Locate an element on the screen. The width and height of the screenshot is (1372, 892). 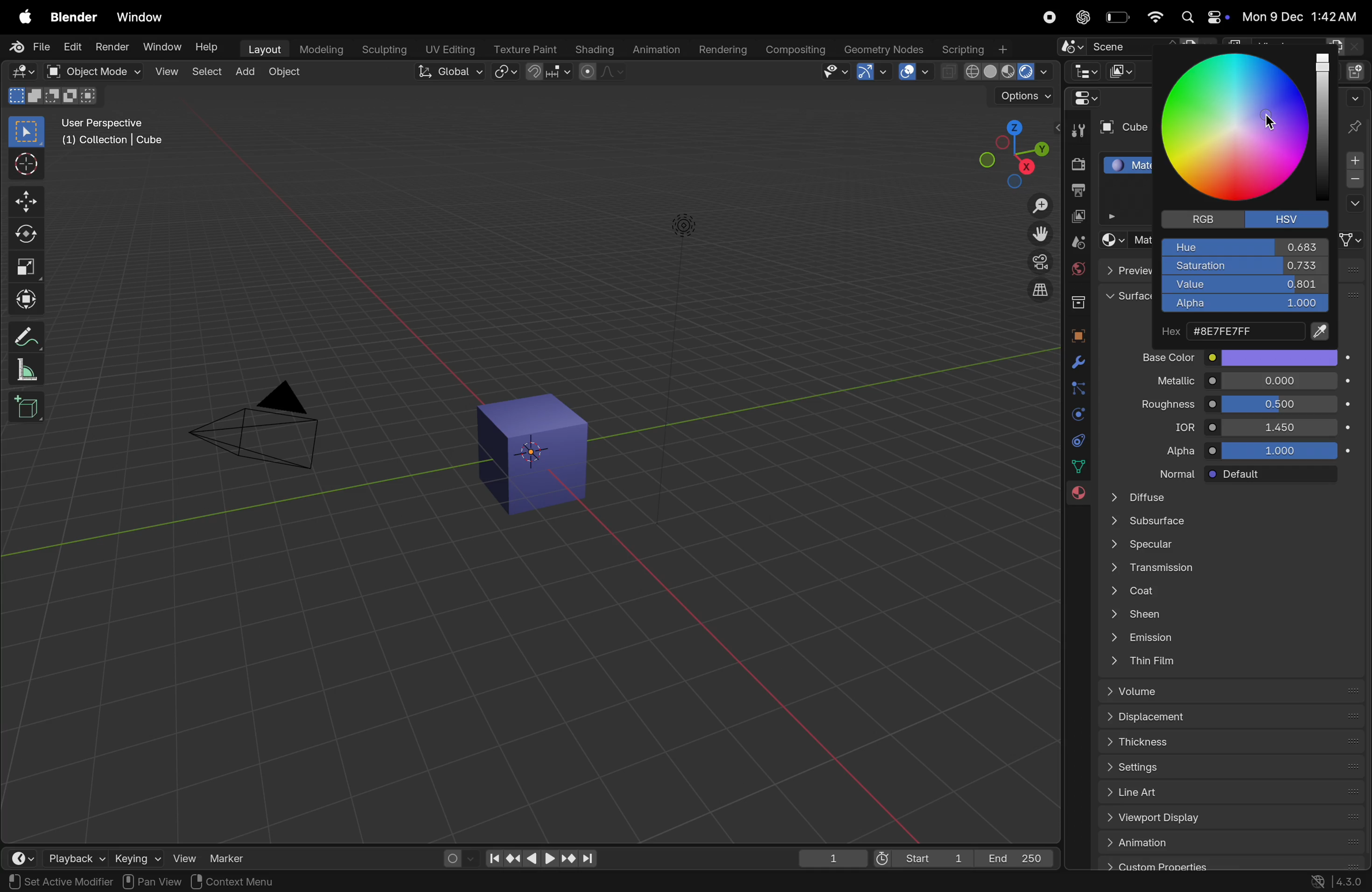
Cube is located at coordinates (1121, 128).